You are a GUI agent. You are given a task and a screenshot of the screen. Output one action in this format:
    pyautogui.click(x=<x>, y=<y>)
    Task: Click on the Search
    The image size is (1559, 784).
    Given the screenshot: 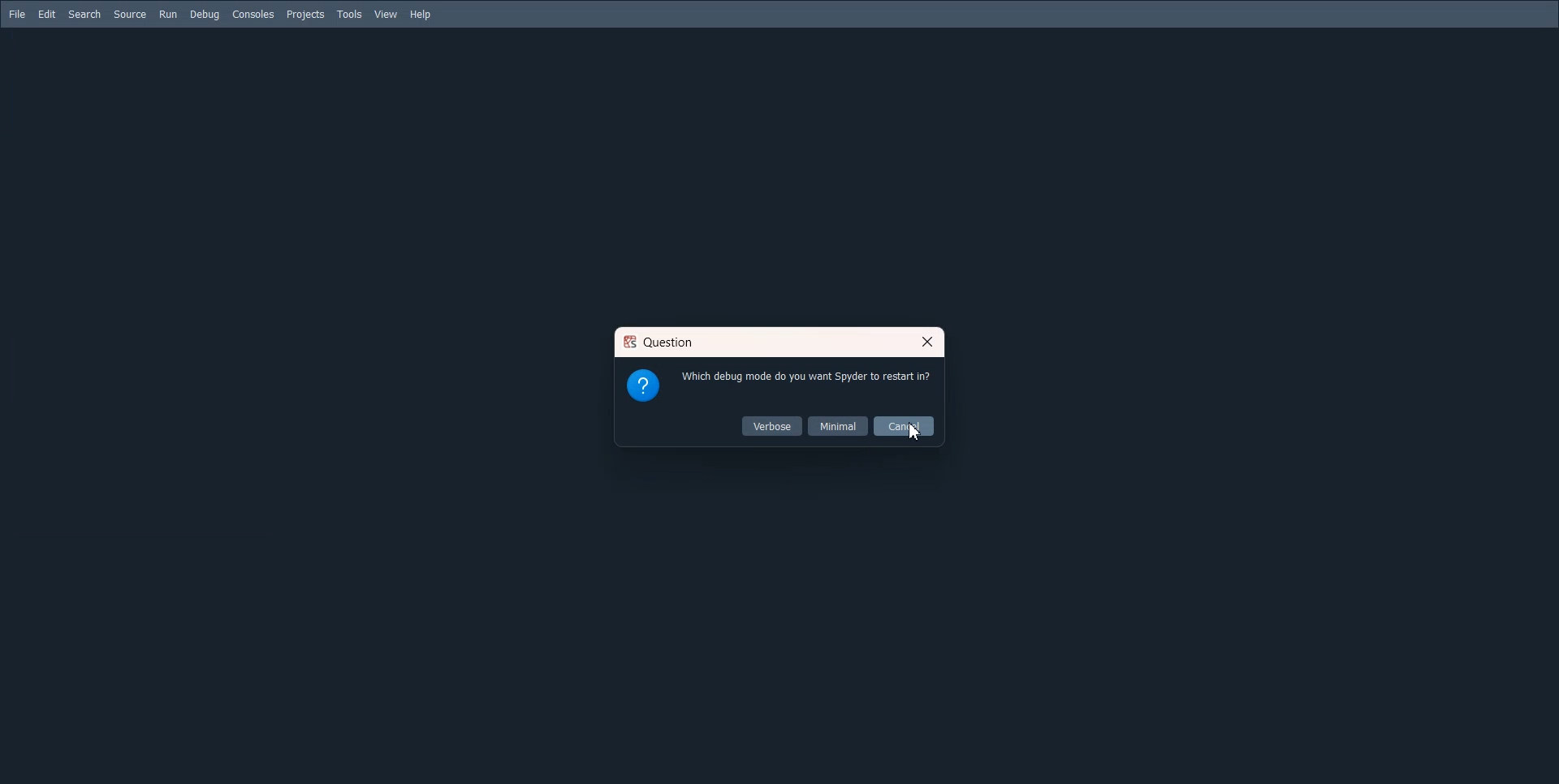 What is the action you would take?
    pyautogui.click(x=84, y=15)
    